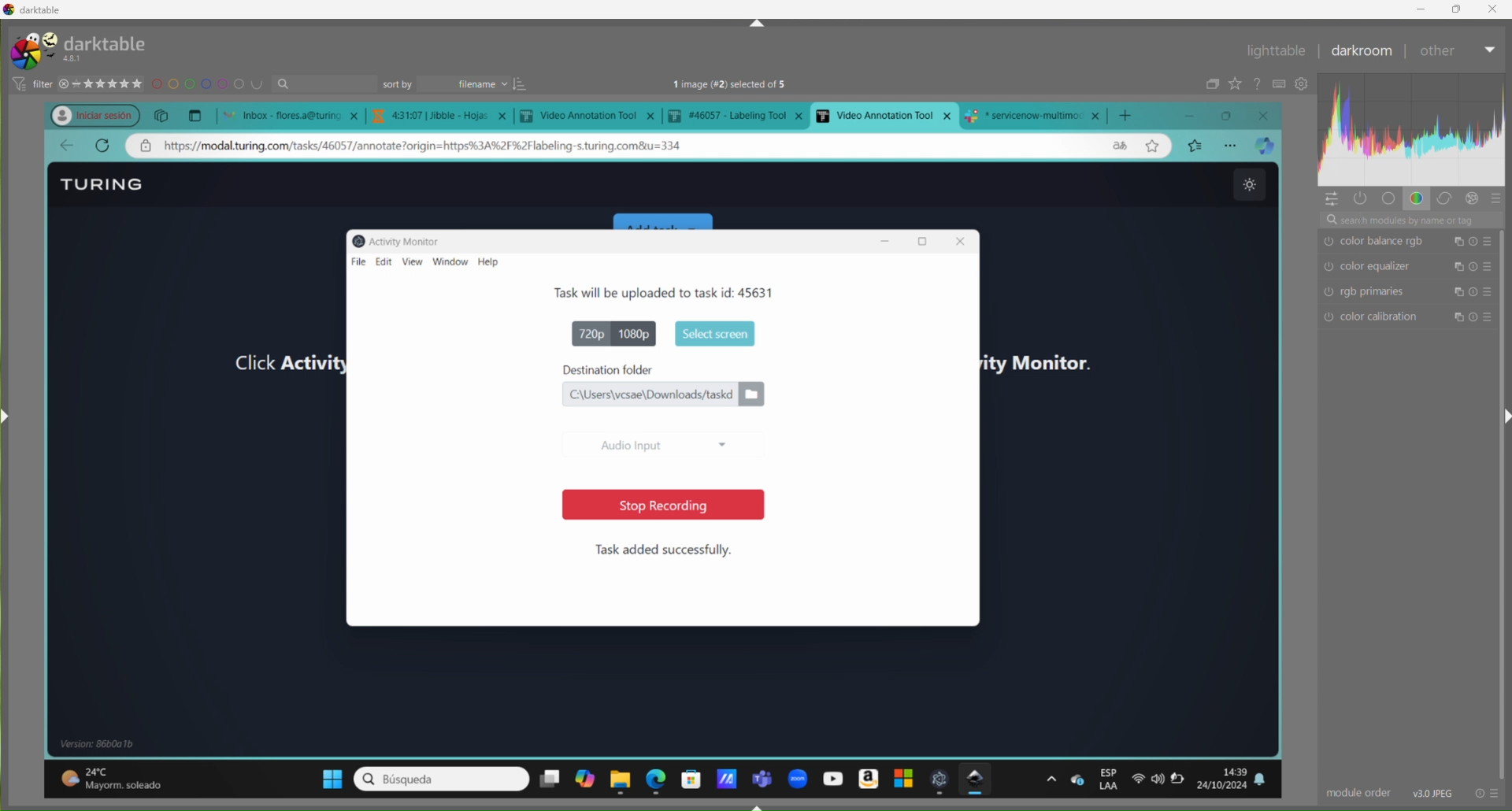 The height and width of the screenshot is (811, 1512). Describe the element at coordinates (87, 113) in the screenshot. I see `profile` at that location.